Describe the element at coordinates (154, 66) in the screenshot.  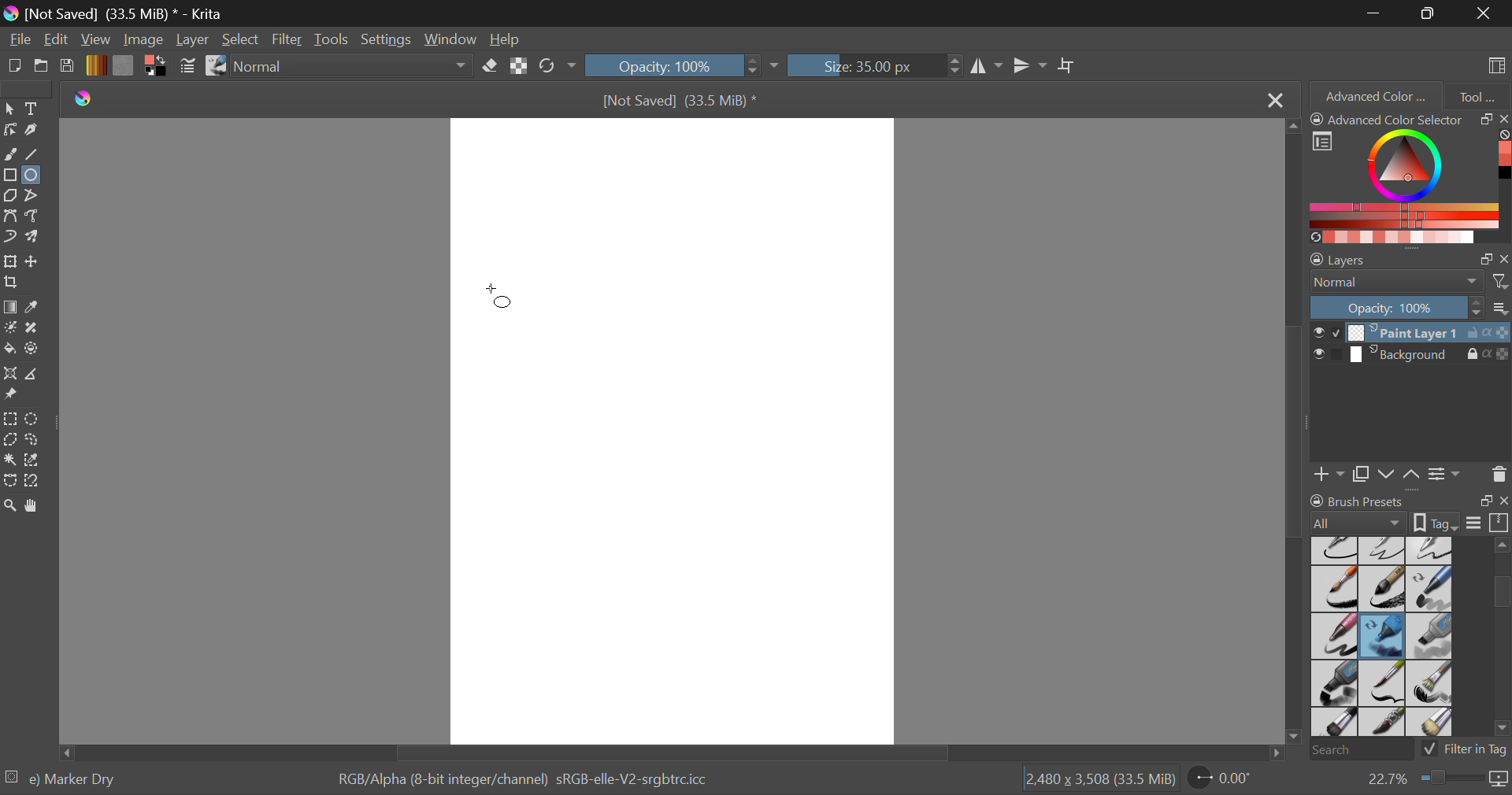
I see `Colors in Use` at that location.